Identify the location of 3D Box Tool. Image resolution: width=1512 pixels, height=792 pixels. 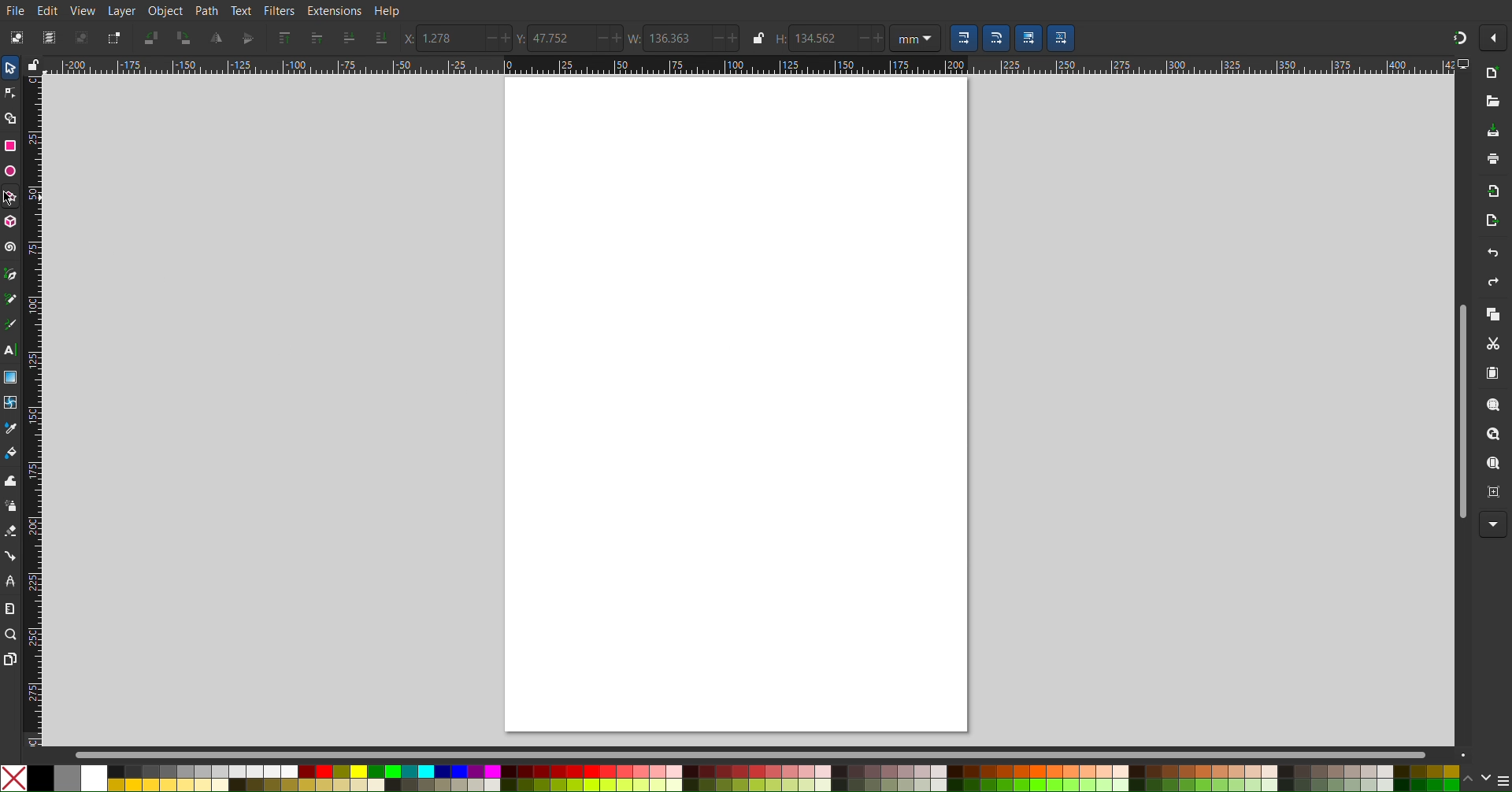
(11, 220).